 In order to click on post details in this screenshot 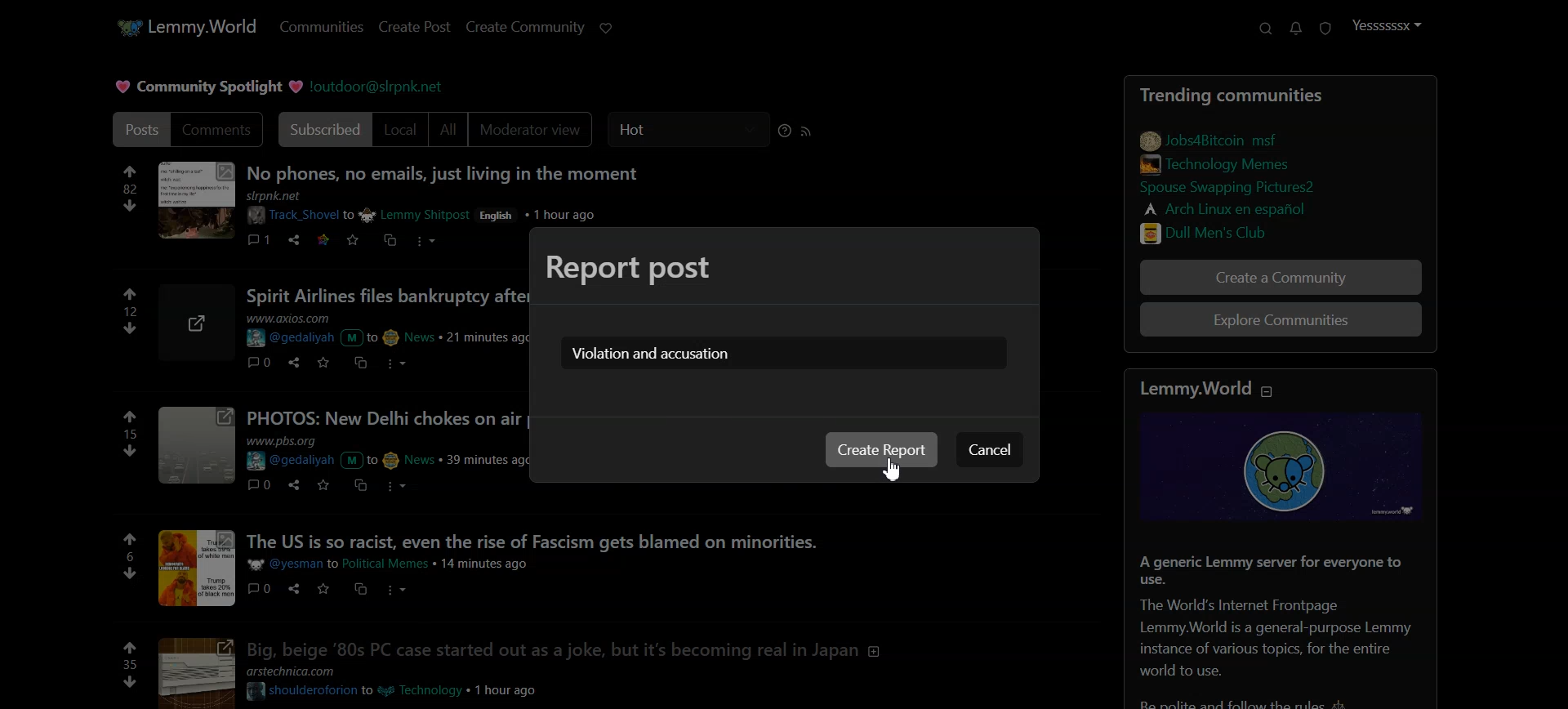, I will do `click(386, 453)`.